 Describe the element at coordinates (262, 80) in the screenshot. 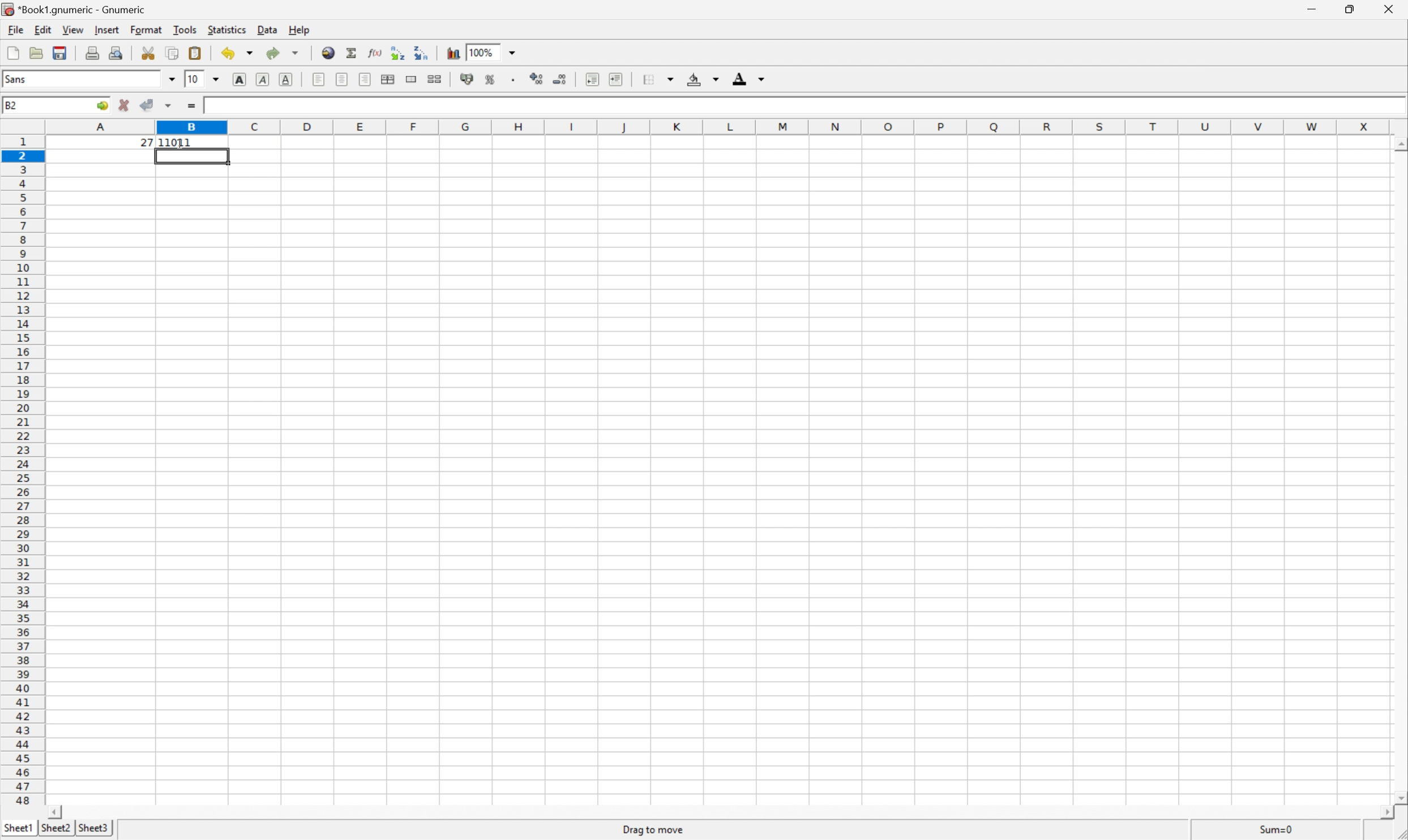

I see `Italic` at that location.